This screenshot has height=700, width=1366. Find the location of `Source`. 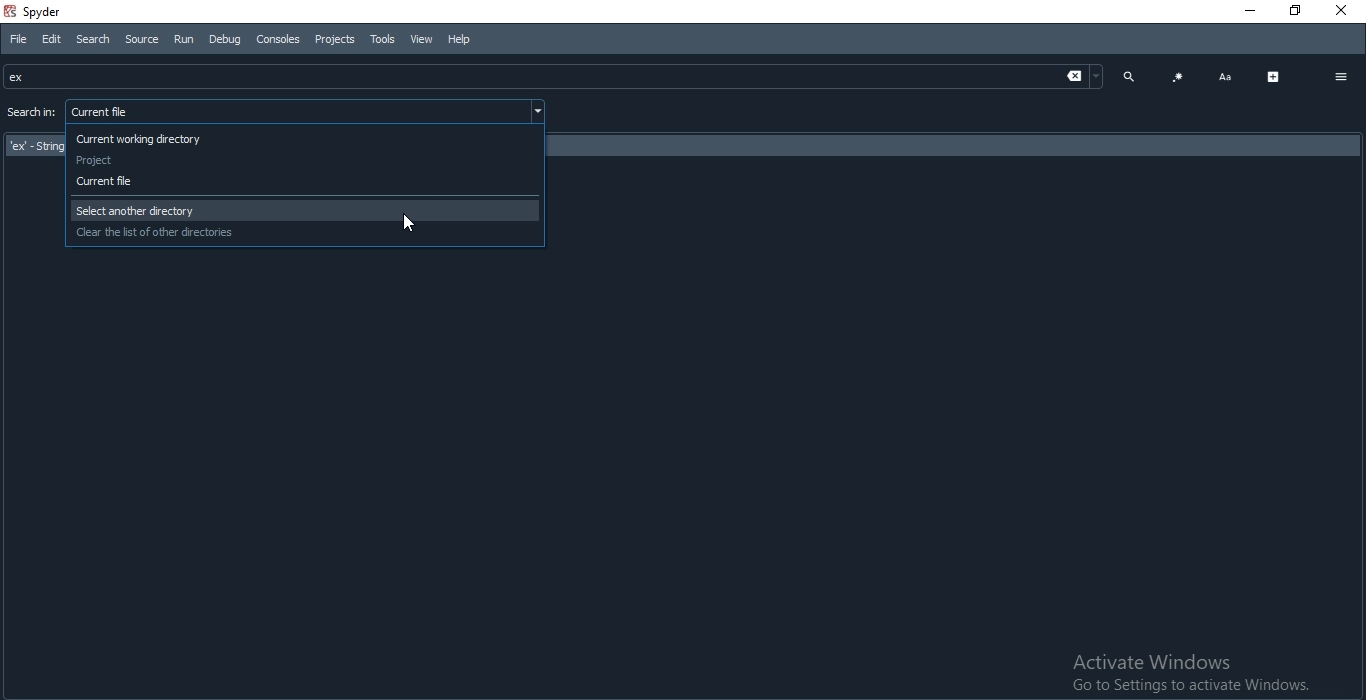

Source is located at coordinates (140, 39).